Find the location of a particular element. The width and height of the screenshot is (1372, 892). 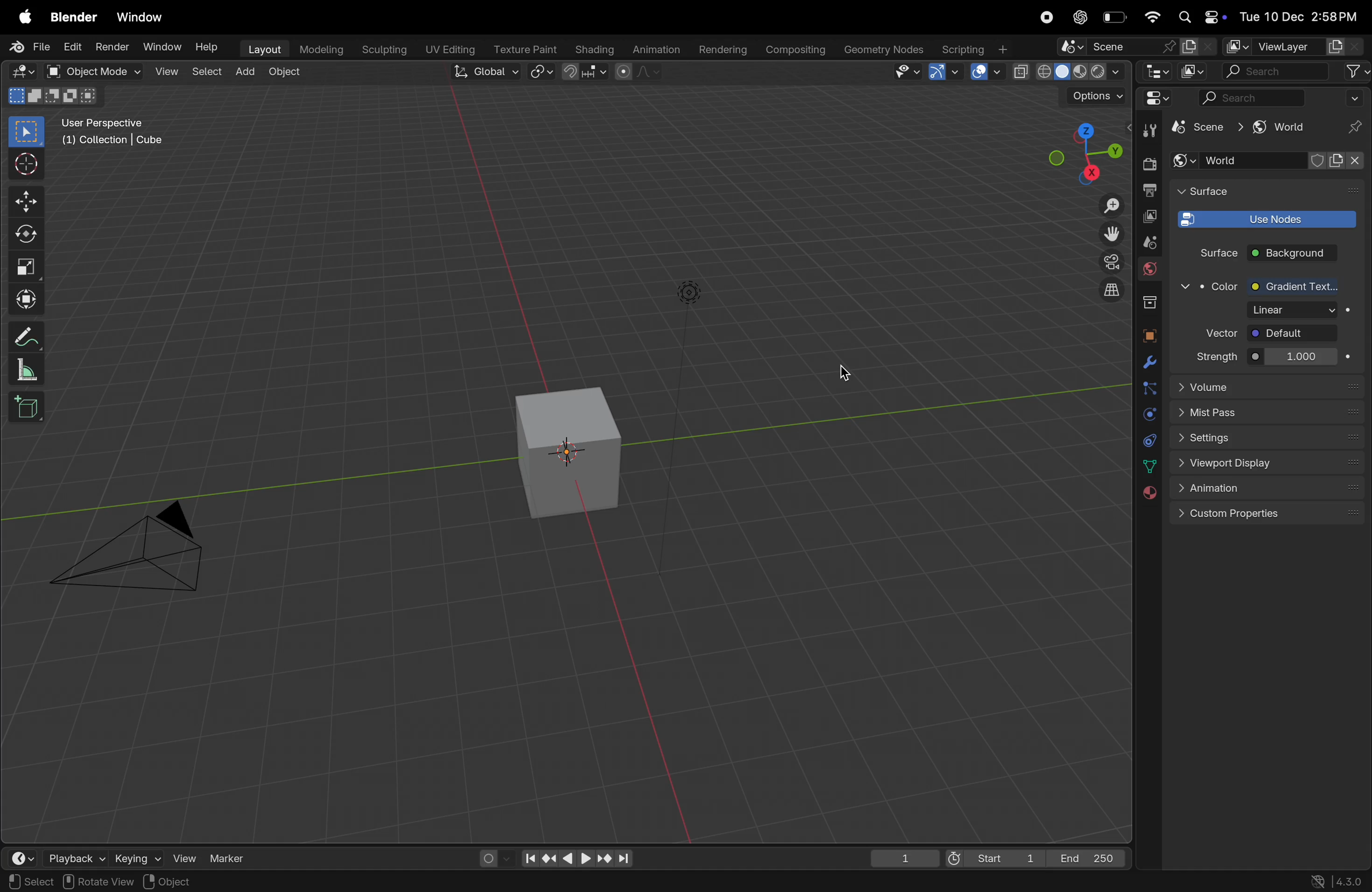

Window is located at coordinates (144, 18).